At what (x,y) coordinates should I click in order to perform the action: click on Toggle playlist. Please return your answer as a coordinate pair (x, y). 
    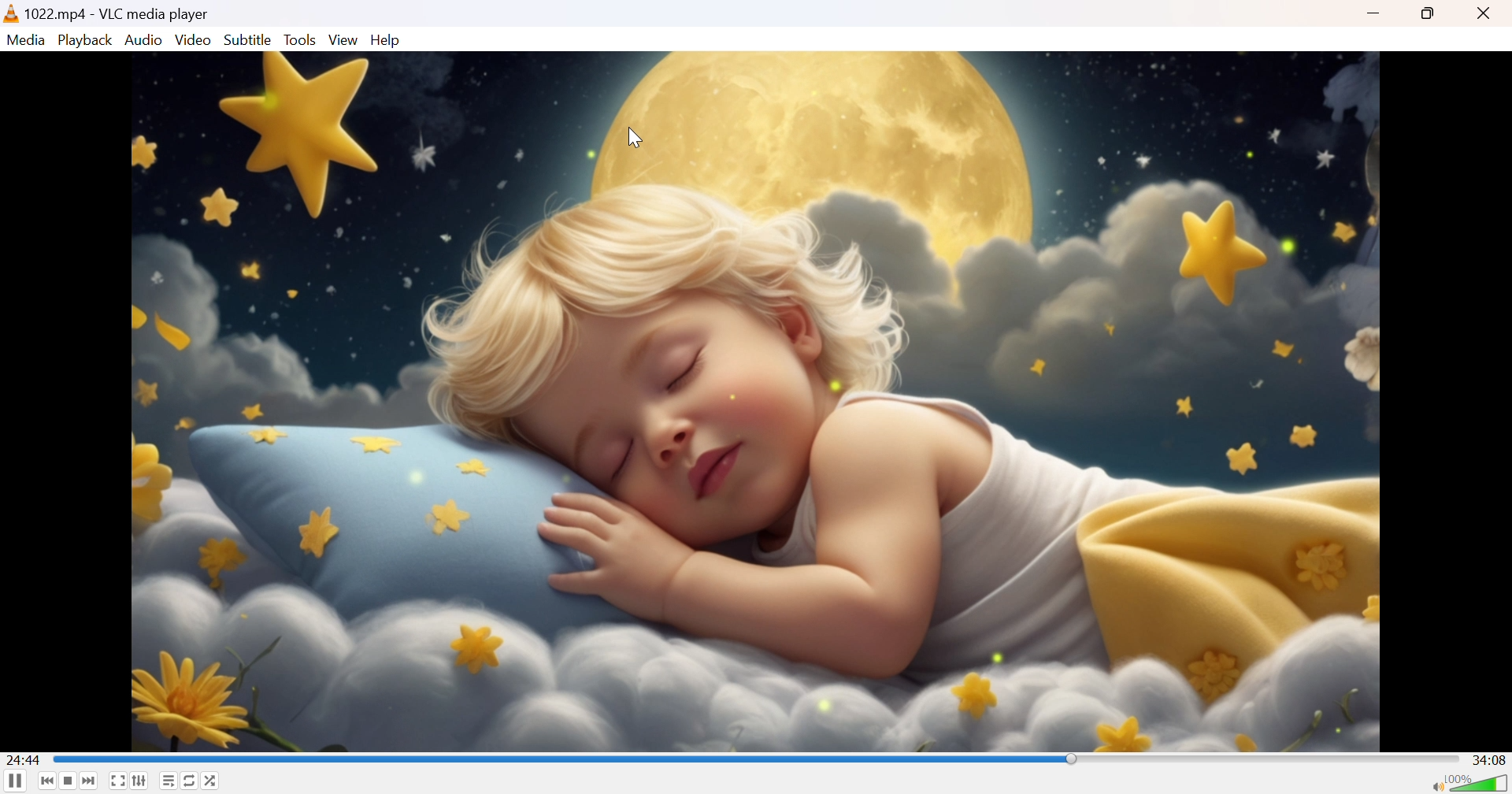
    Looking at the image, I should click on (169, 781).